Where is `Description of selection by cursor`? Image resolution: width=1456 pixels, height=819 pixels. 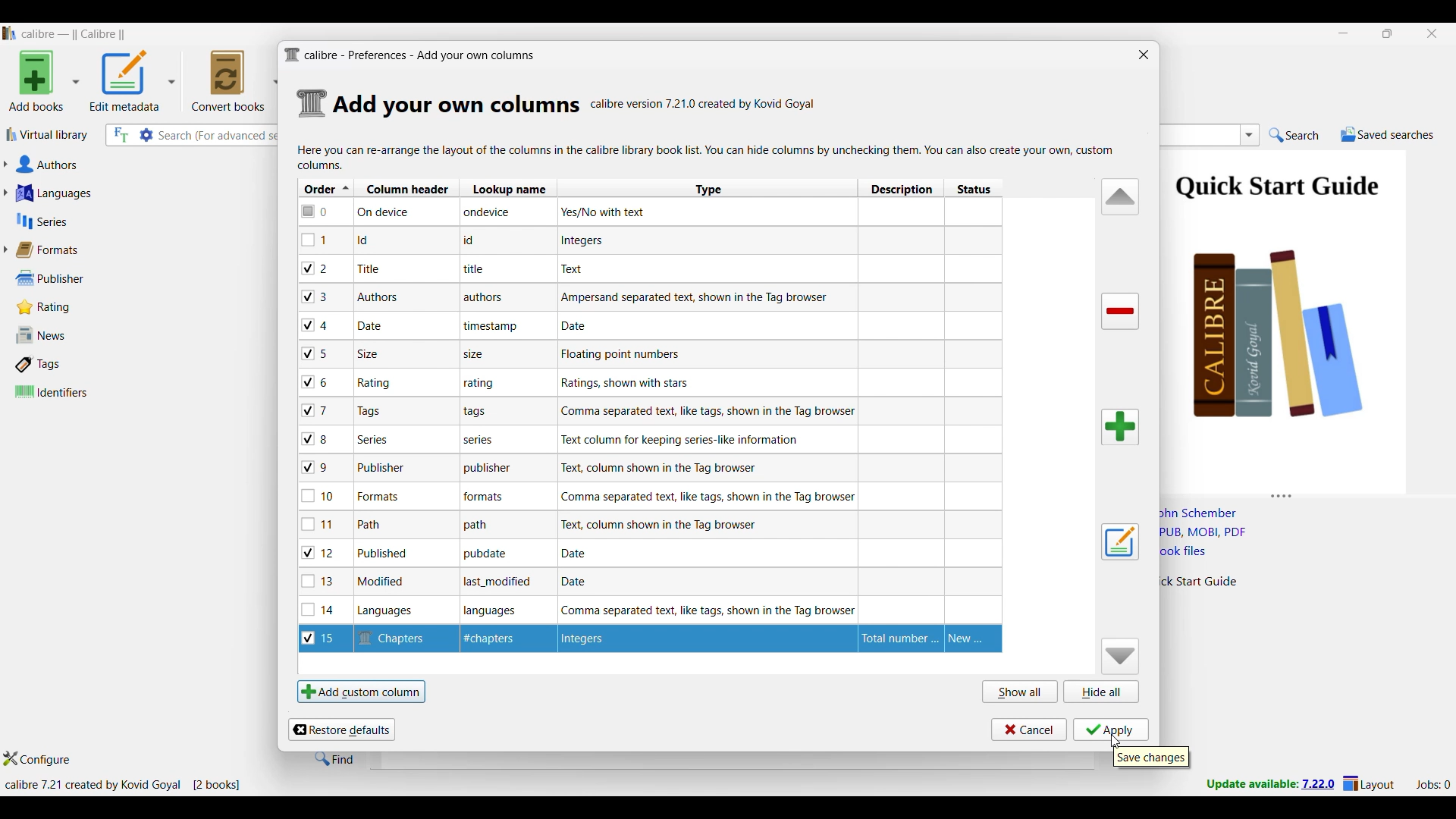
Description of selection by cursor is located at coordinates (1152, 758).